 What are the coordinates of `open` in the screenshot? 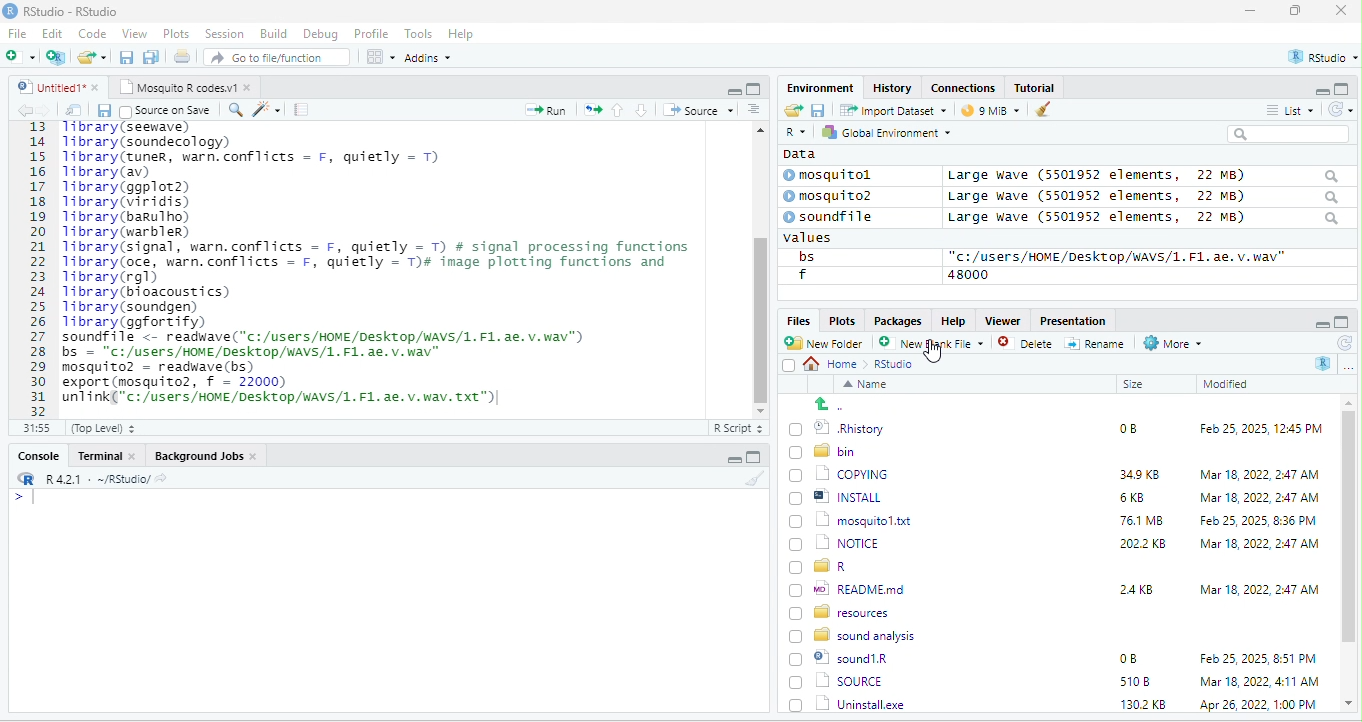 It's located at (593, 108).